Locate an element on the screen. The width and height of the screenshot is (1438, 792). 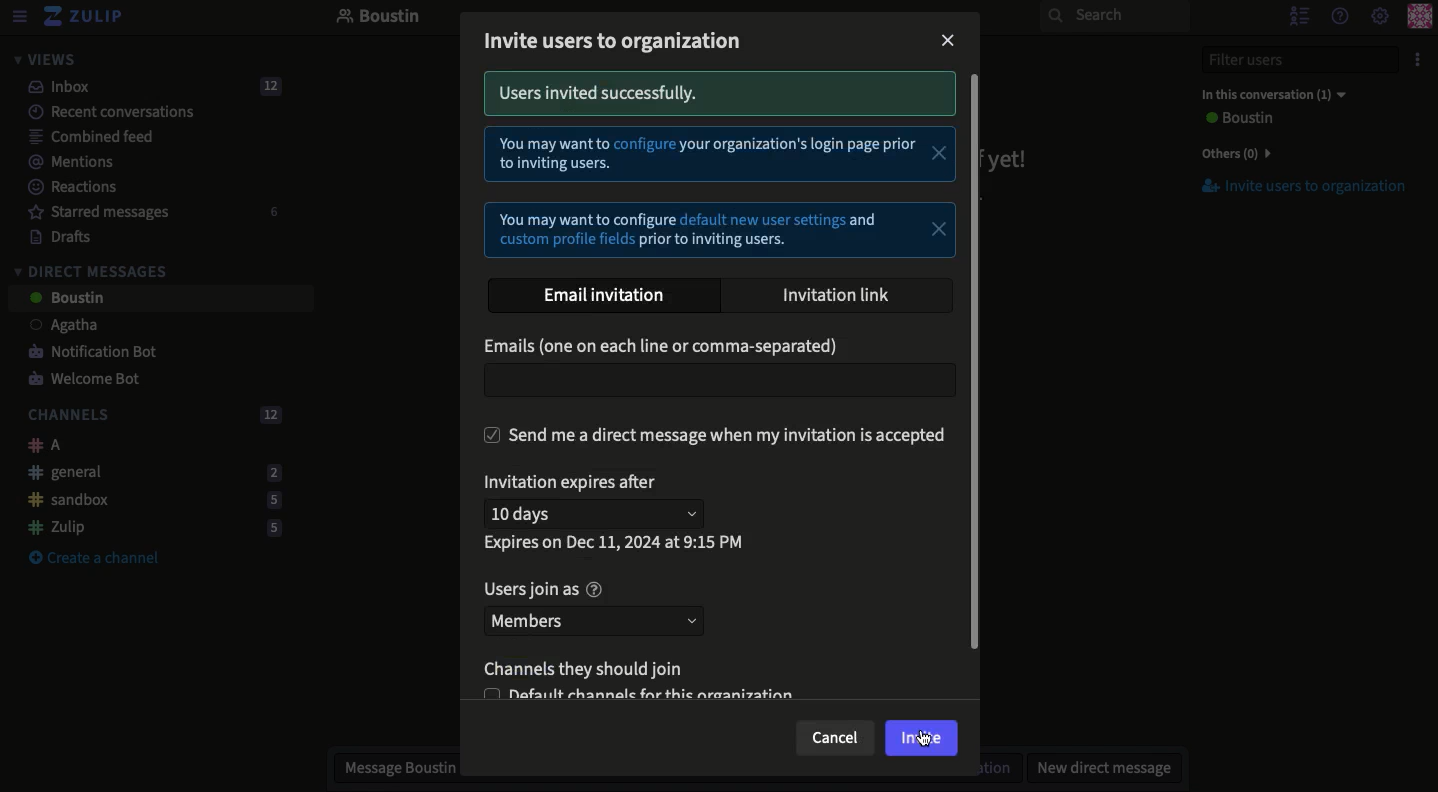
Notification bot is located at coordinates (85, 353).